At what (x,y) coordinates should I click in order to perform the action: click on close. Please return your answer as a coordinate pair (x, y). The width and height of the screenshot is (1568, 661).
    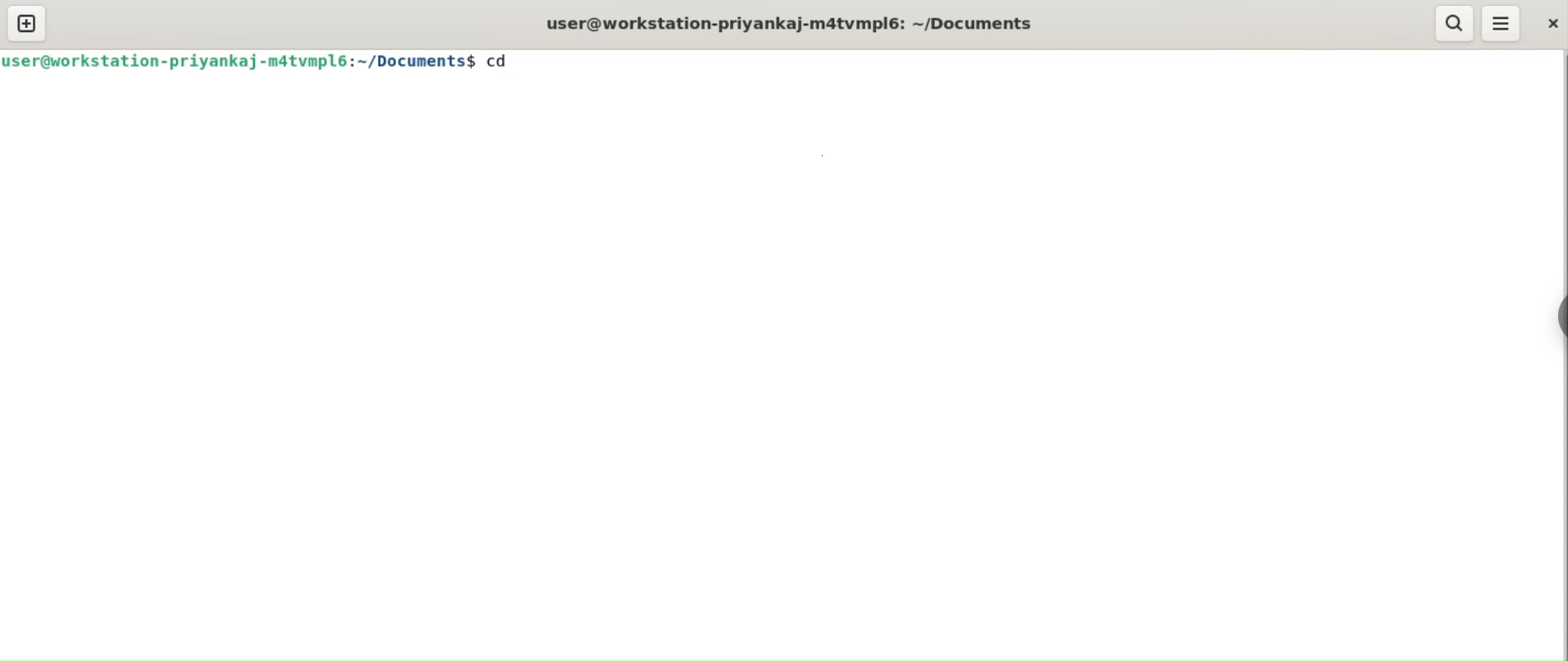
    Looking at the image, I should click on (1553, 23).